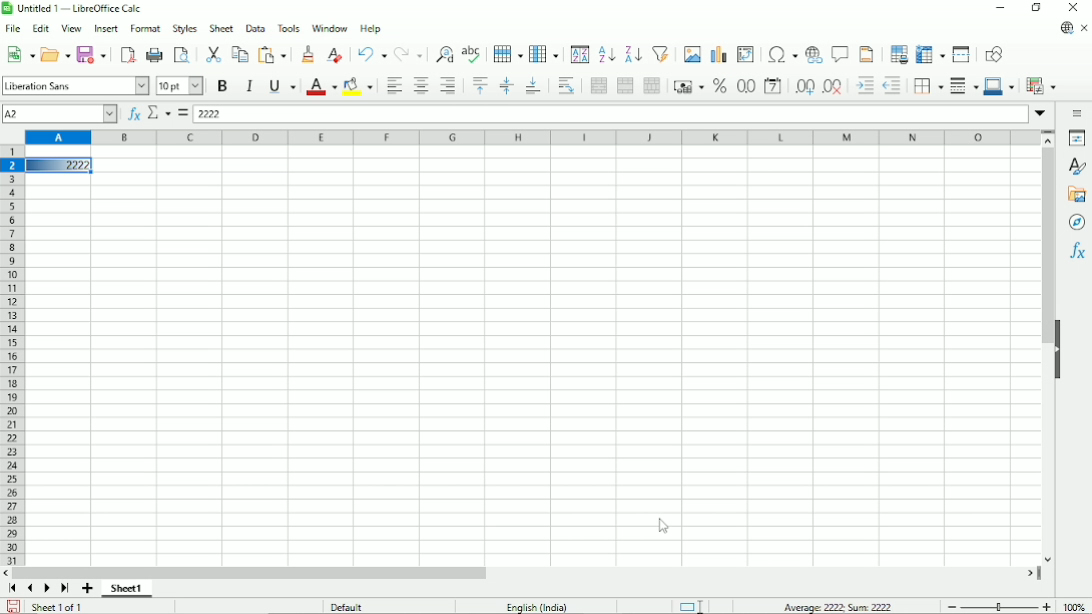  I want to click on Align left, so click(392, 85).